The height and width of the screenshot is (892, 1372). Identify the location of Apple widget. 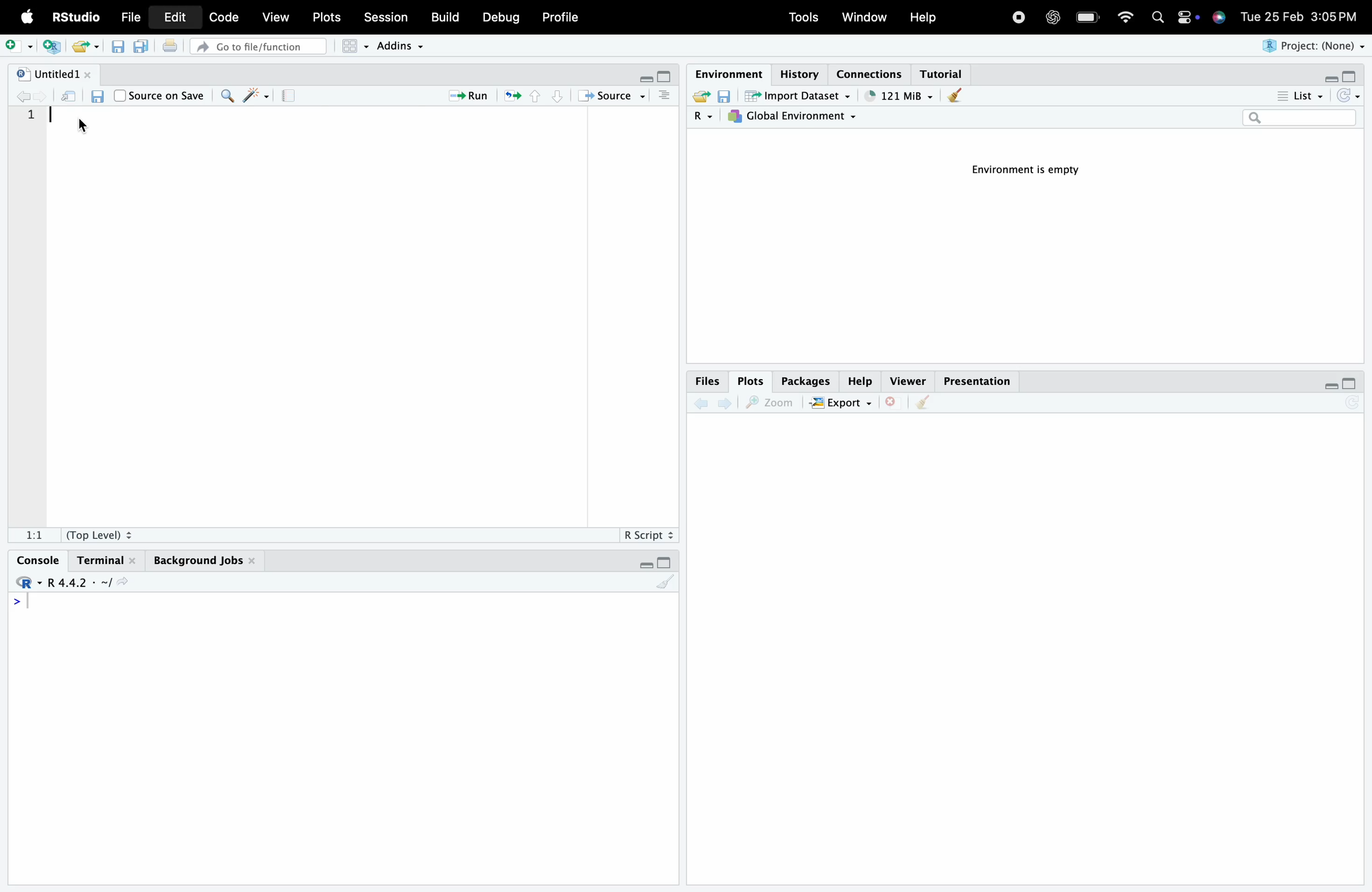
(1188, 18).